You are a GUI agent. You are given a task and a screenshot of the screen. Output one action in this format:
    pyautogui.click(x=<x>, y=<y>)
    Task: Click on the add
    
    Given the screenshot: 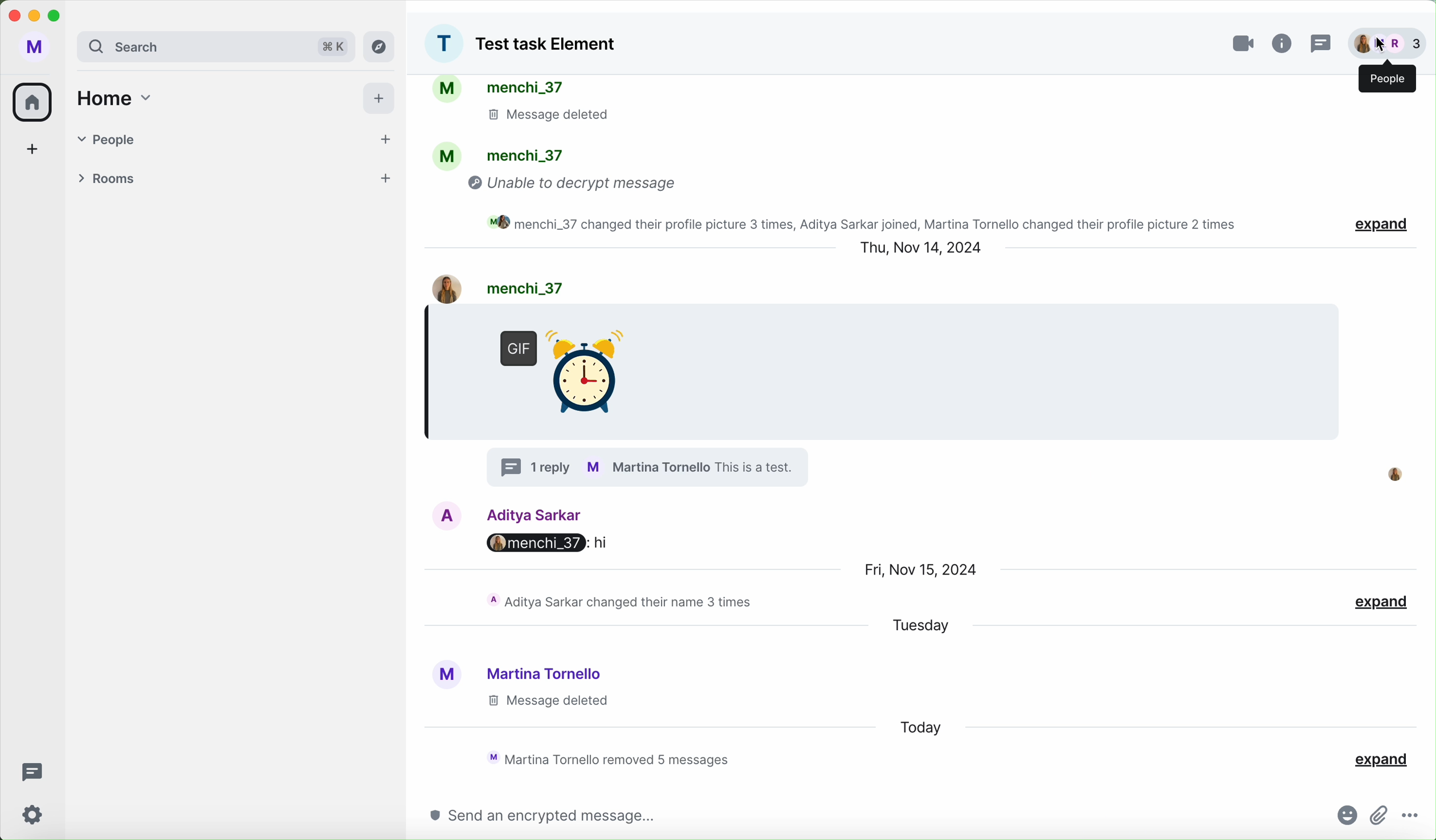 What is the action you would take?
    pyautogui.click(x=32, y=148)
    